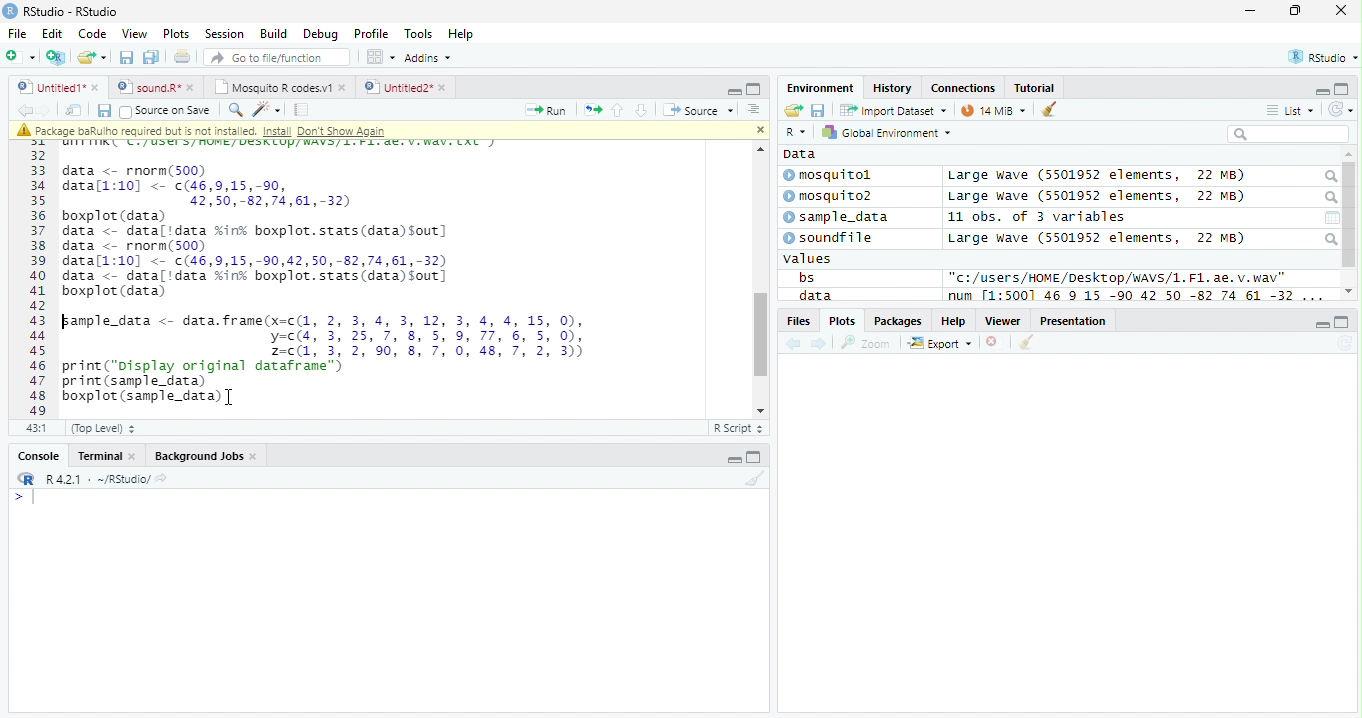 The height and width of the screenshot is (718, 1362). I want to click on search bar, so click(1288, 133).